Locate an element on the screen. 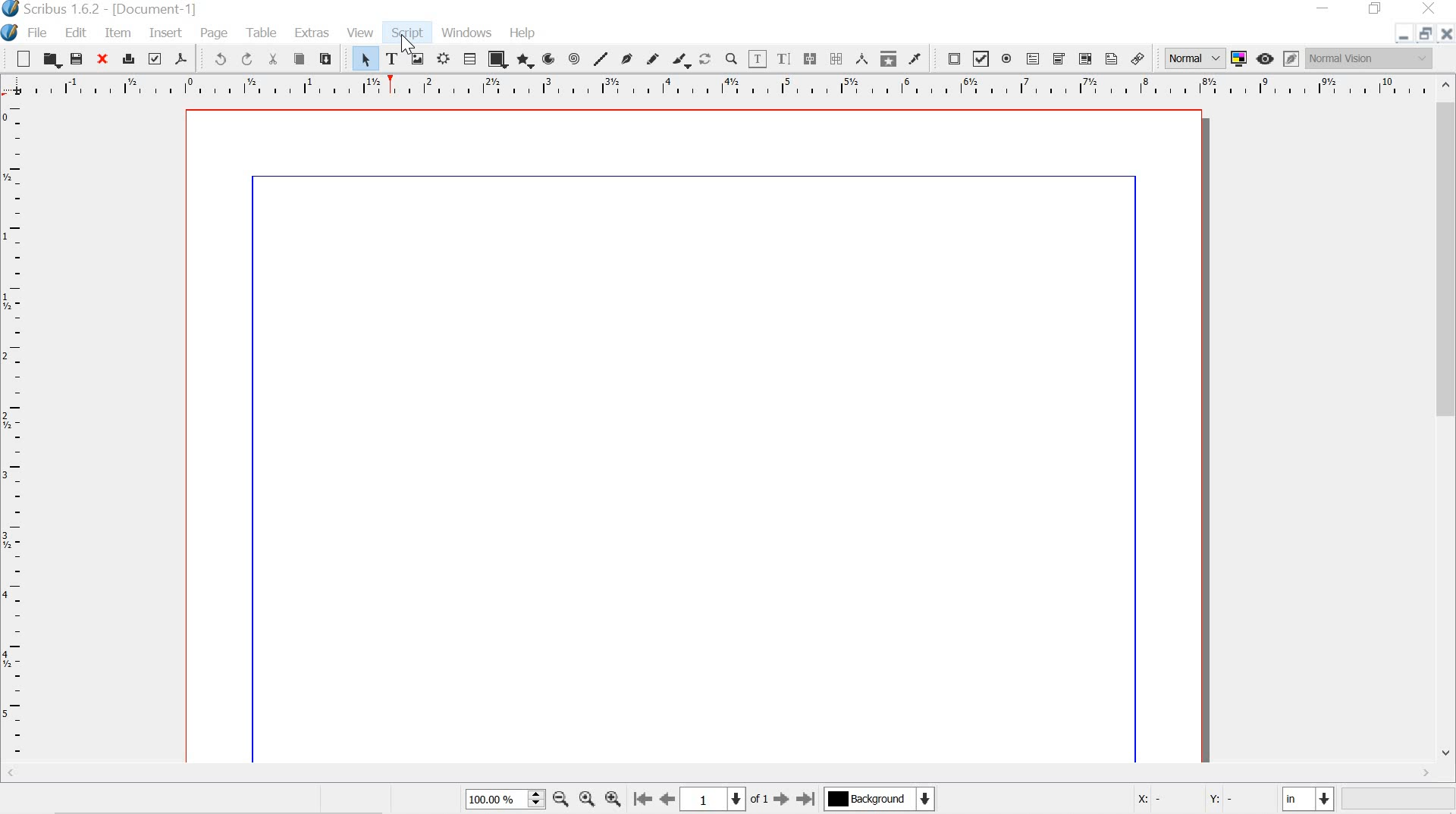  pdf push button is located at coordinates (950, 58).